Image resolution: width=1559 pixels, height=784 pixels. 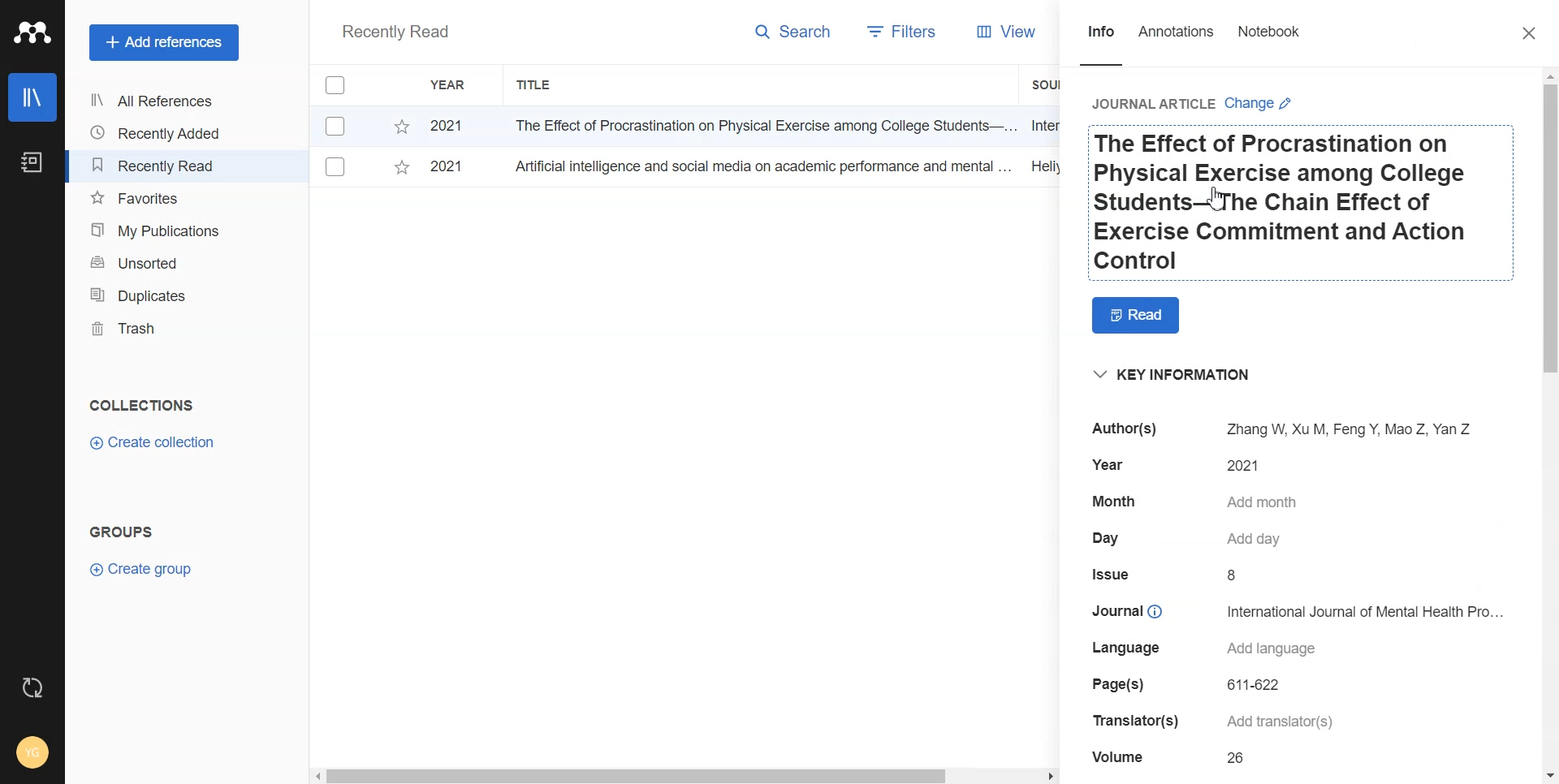 What do you see at coordinates (1303, 618) in the screenshot?
I see `Journal © International Journal of Mental Health` at bounding box center [1303, 618].